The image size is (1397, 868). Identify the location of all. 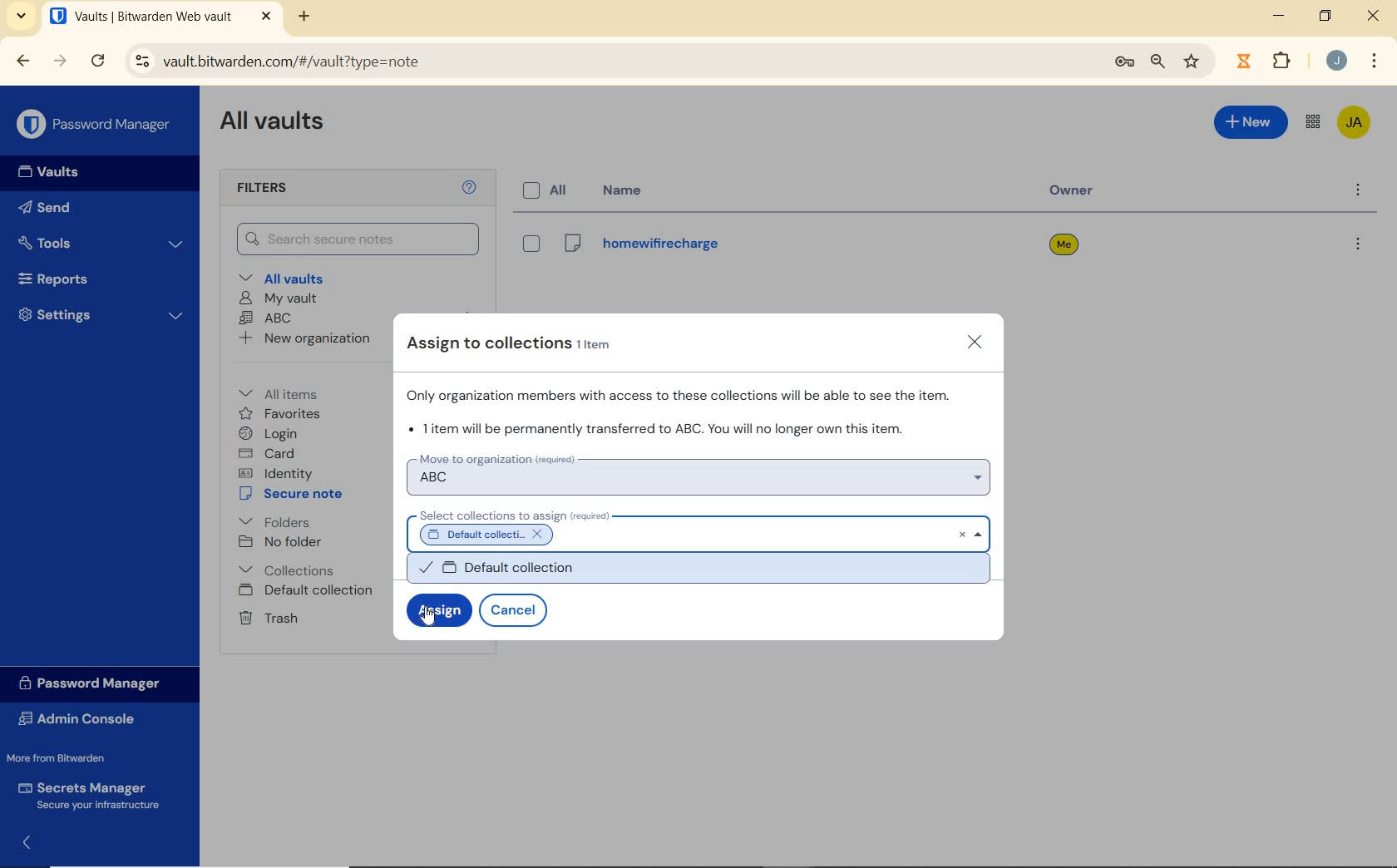
(549, 191).